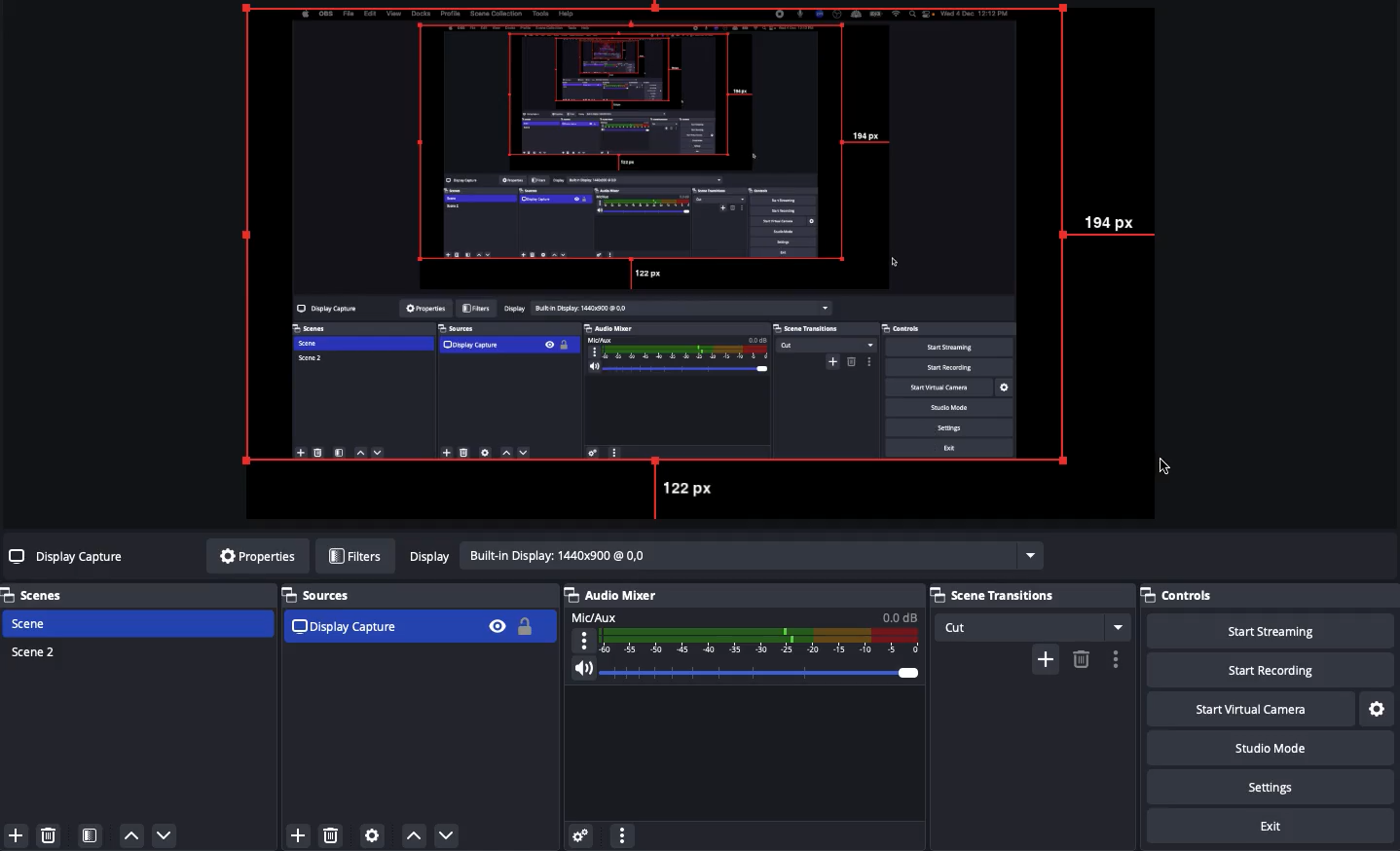 Image resolution: width=1400 pixels, height=851 pixels. Describe the element at coordinates (14, 833) in the screenshot. I see `Add` at that location.